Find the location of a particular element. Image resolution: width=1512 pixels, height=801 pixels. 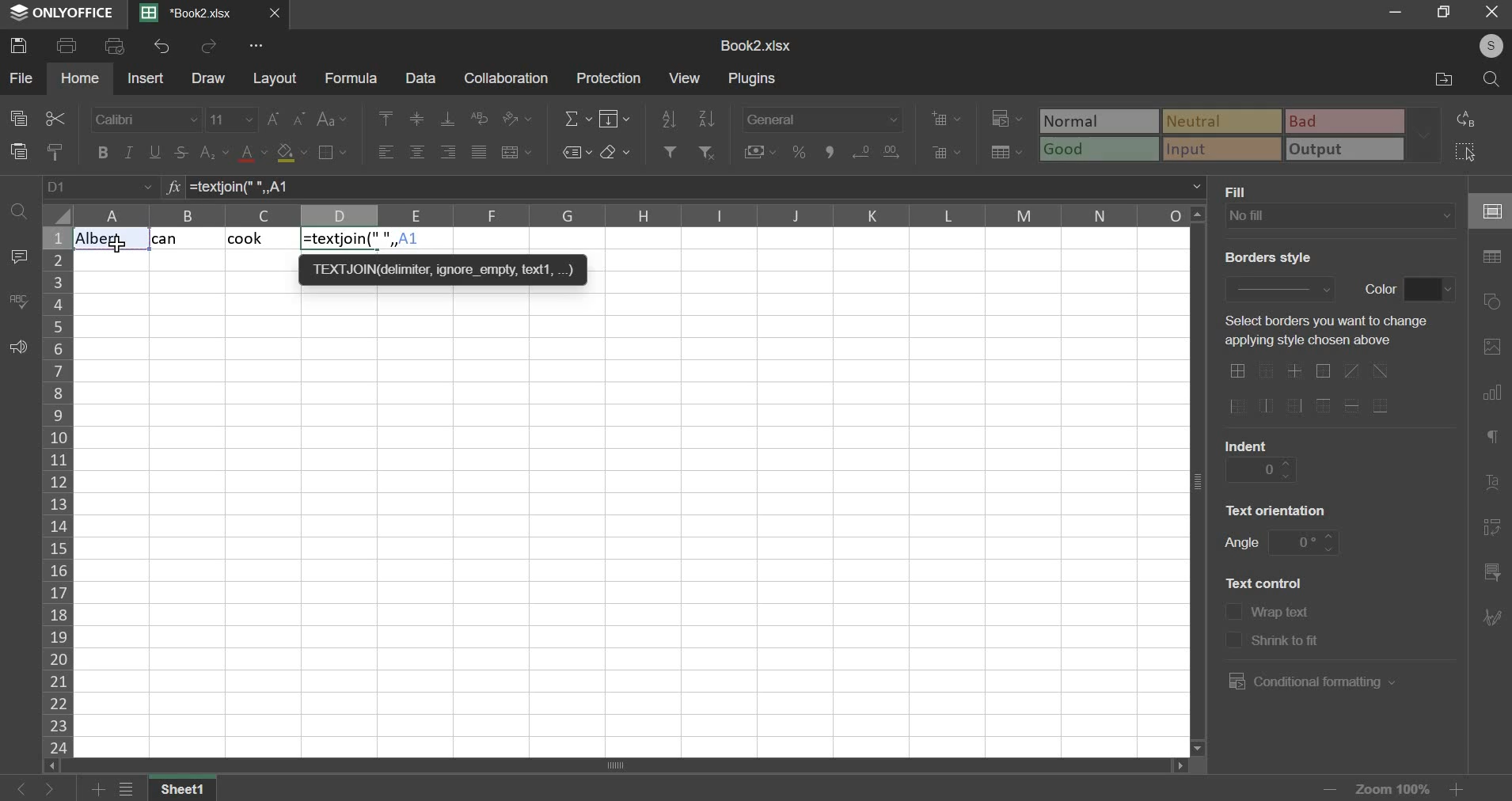

sort ascending is located at coordinates (669, 116).